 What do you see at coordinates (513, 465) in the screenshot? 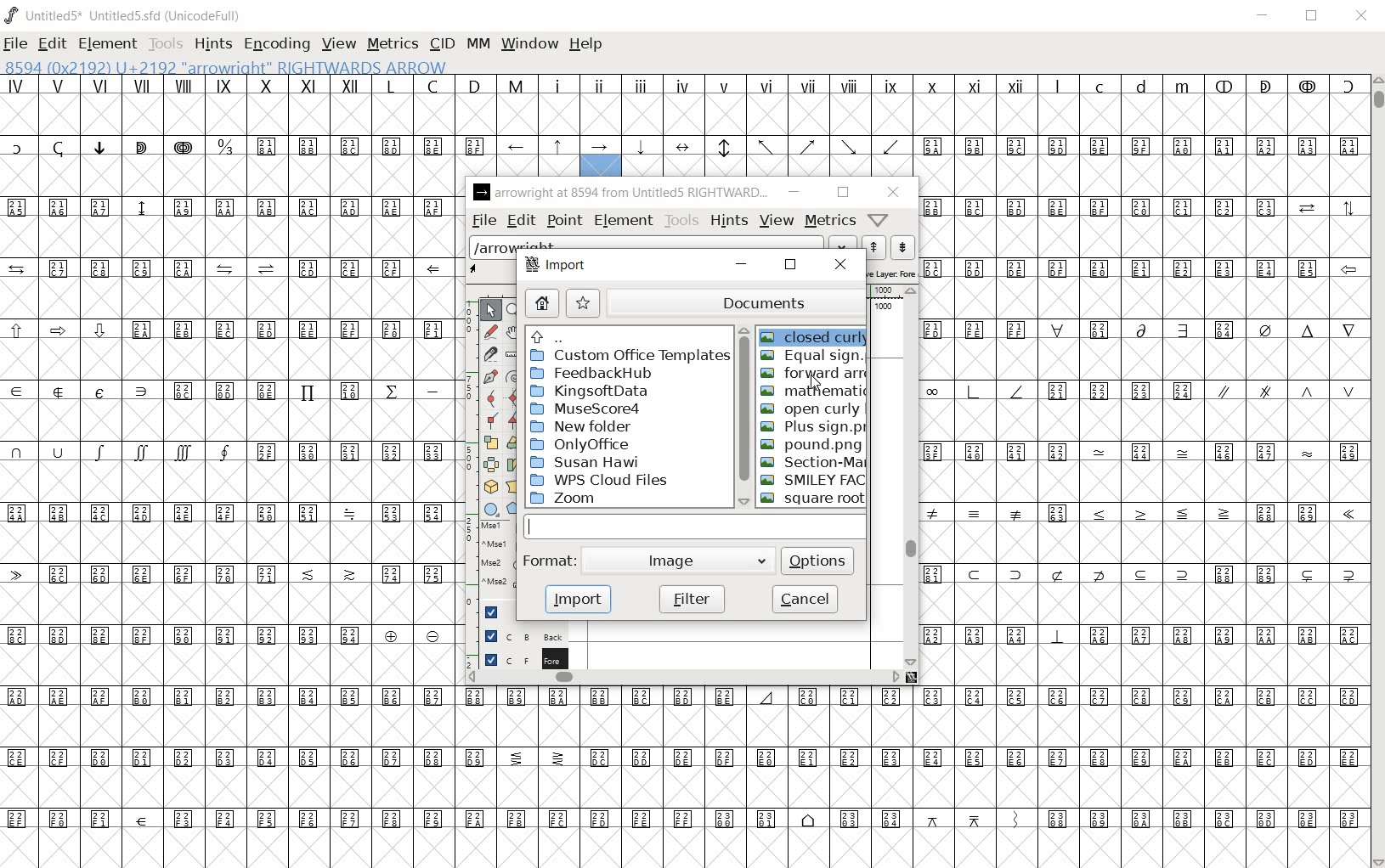
I see `Rotate the selection` at bounding box center [513, 465].